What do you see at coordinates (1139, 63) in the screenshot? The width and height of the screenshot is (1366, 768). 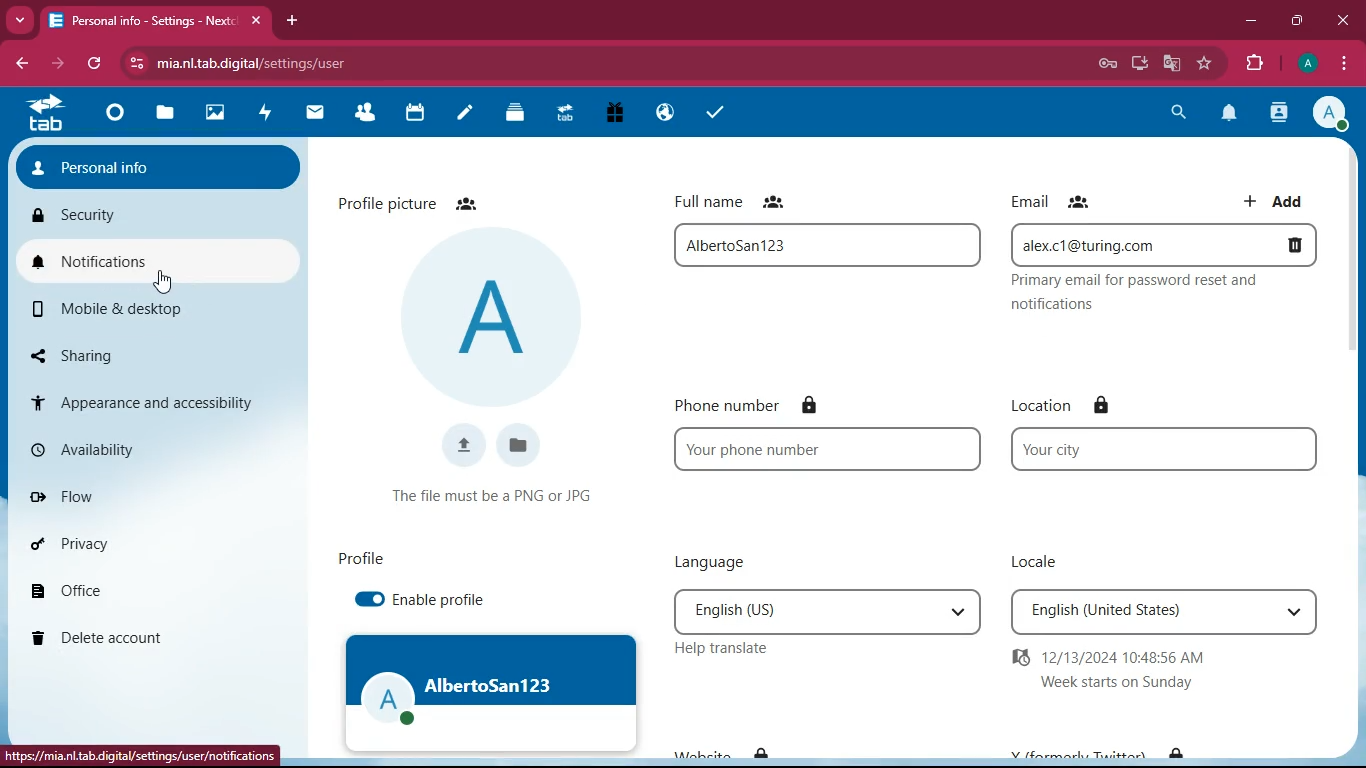 I see `install app` at bounding box center [1139, 63].